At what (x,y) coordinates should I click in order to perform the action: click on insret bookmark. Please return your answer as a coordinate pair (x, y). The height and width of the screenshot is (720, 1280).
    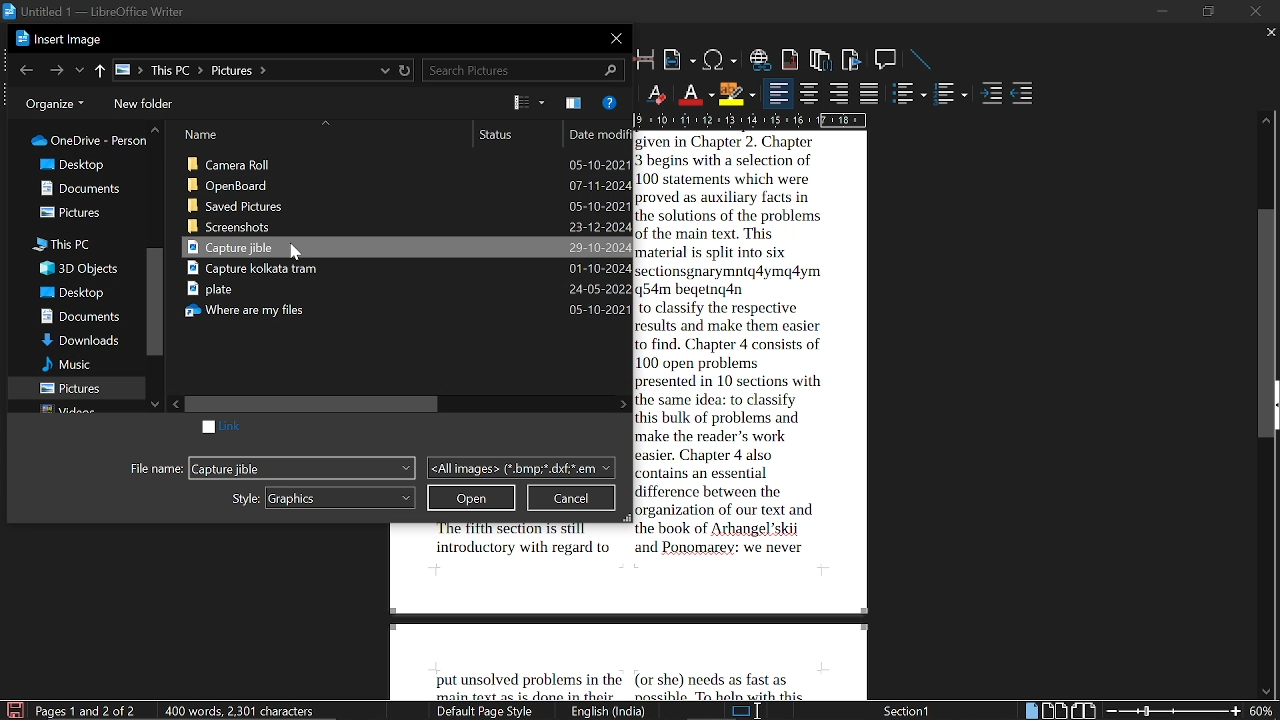
    Looking at the image, I should click on (851, 60).